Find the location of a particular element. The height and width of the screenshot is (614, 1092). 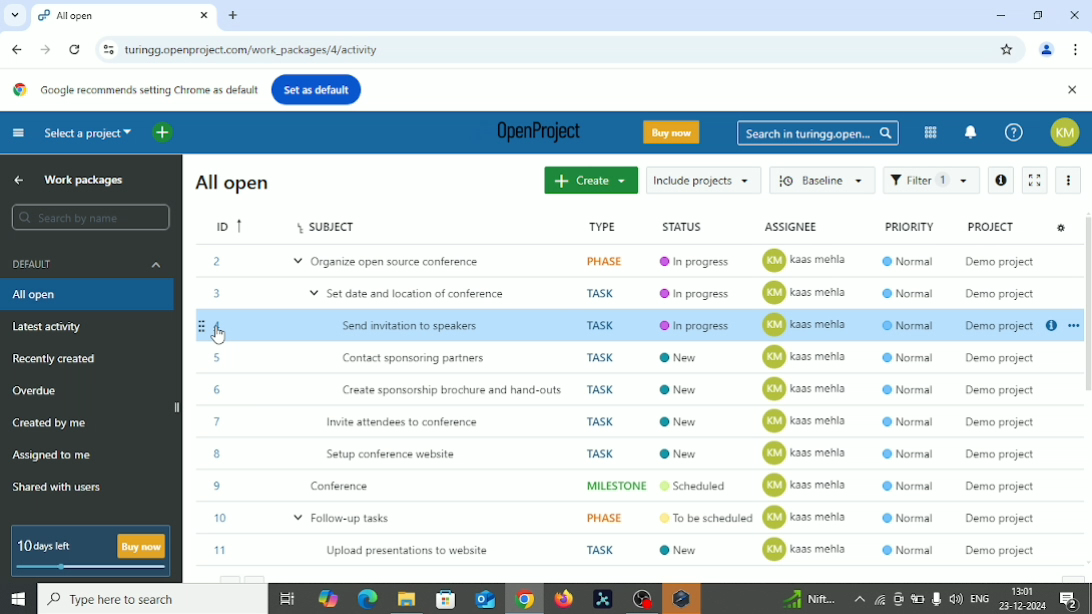

Collapse project menu is located at coordinates (19, 133).